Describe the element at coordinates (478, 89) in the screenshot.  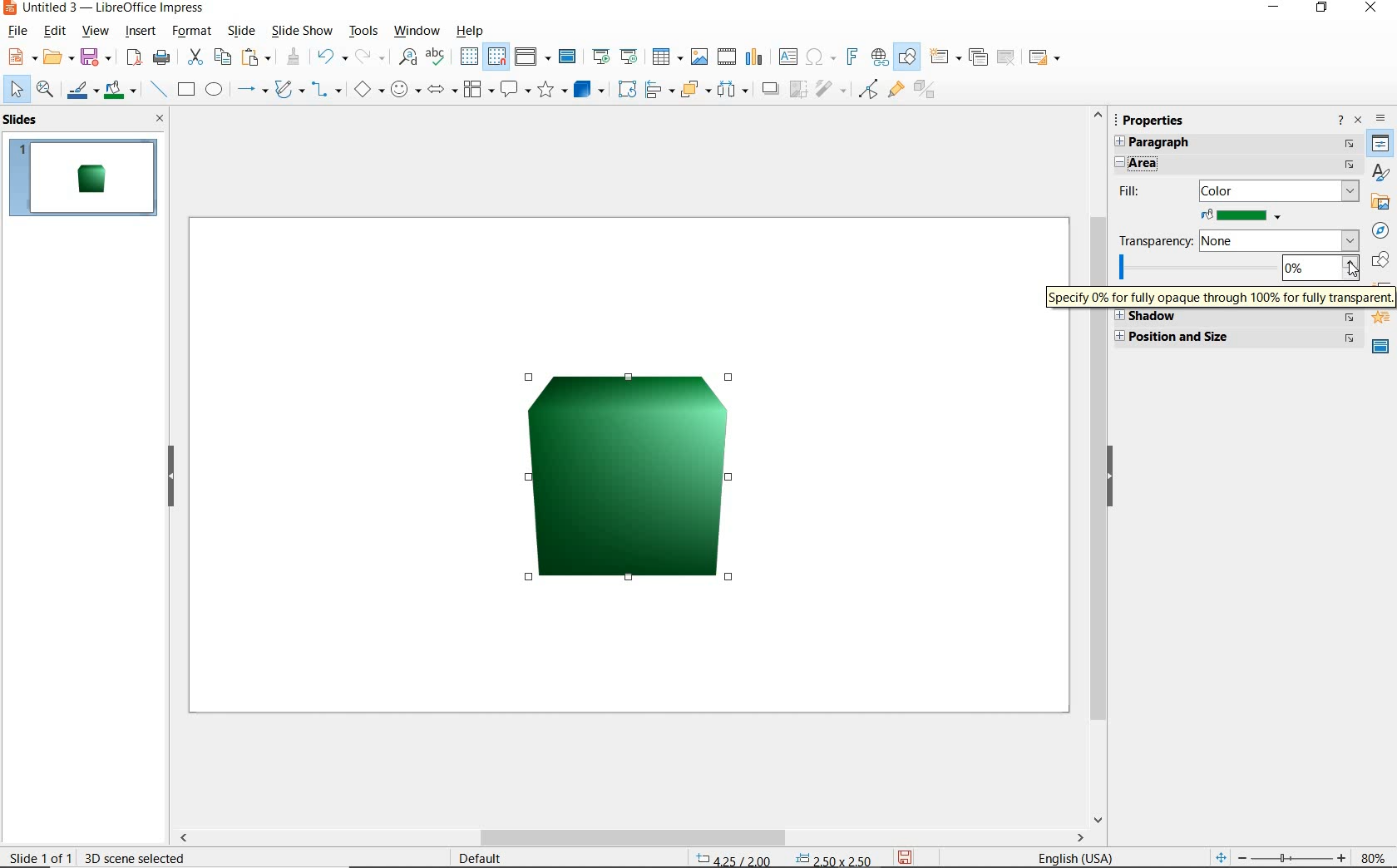
I see `flowchart` at that location.